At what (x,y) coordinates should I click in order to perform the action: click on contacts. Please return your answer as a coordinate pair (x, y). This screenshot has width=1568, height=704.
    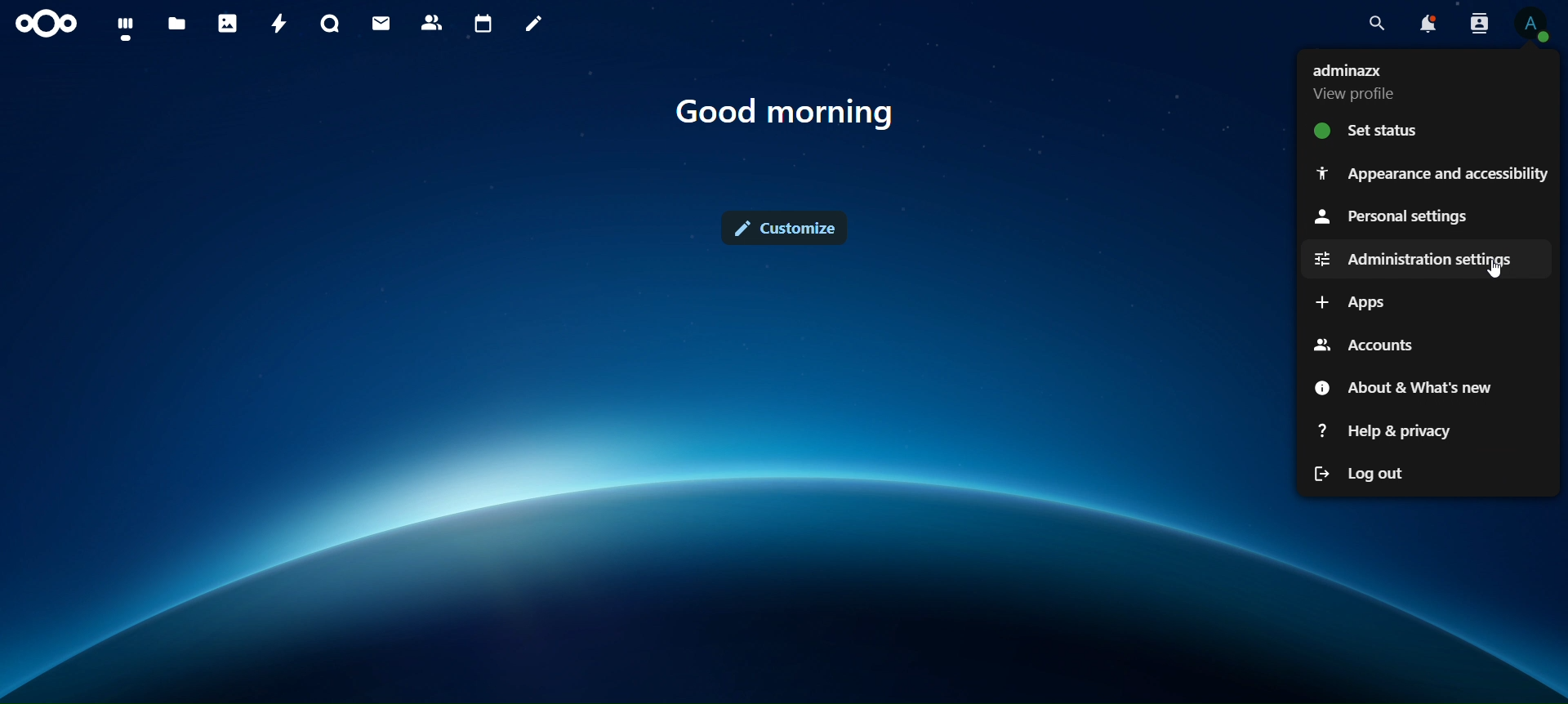
    Looking at the image, I should click on (433, 21).